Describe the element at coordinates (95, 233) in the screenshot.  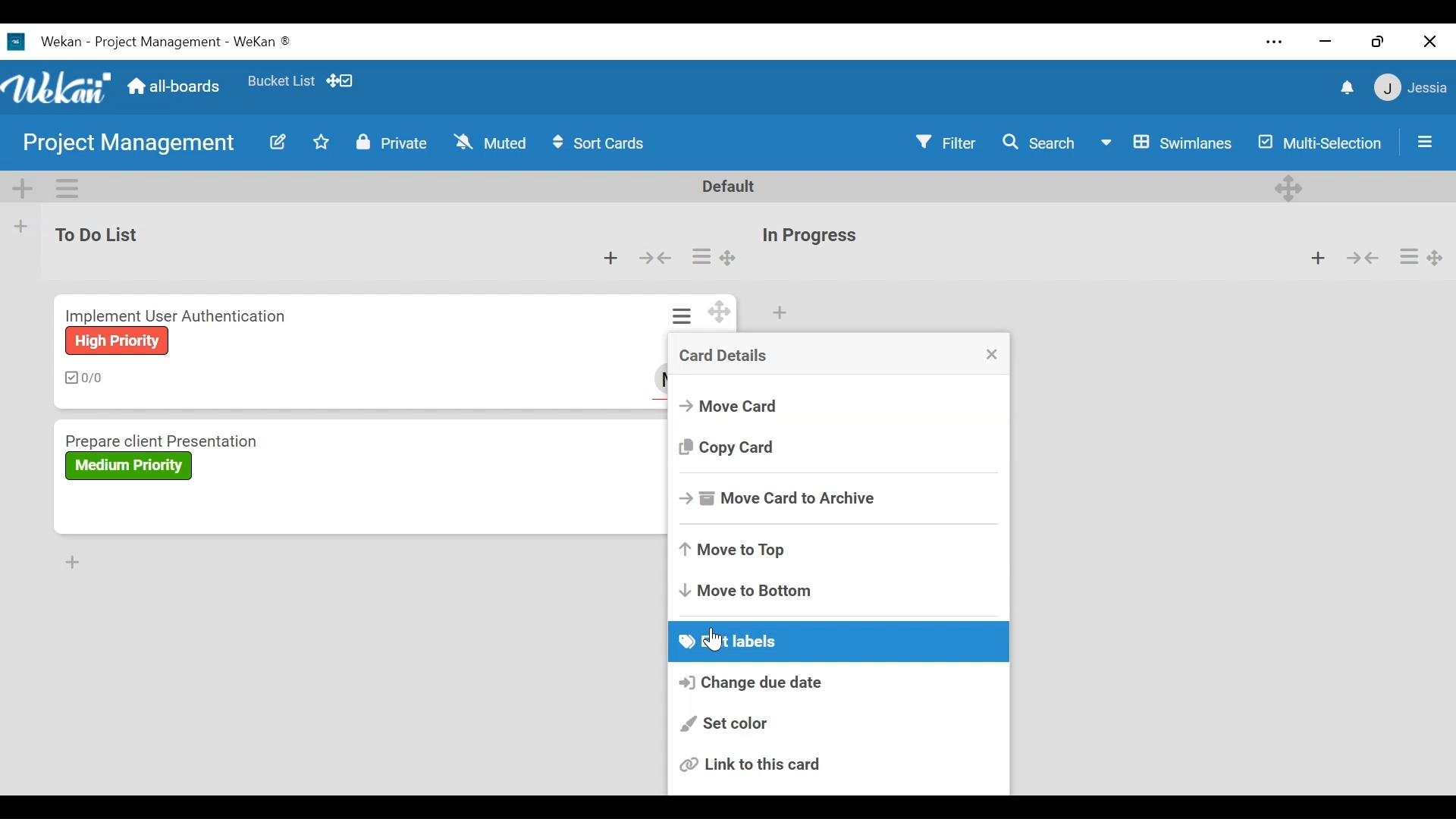
I see `List Name` at that location.